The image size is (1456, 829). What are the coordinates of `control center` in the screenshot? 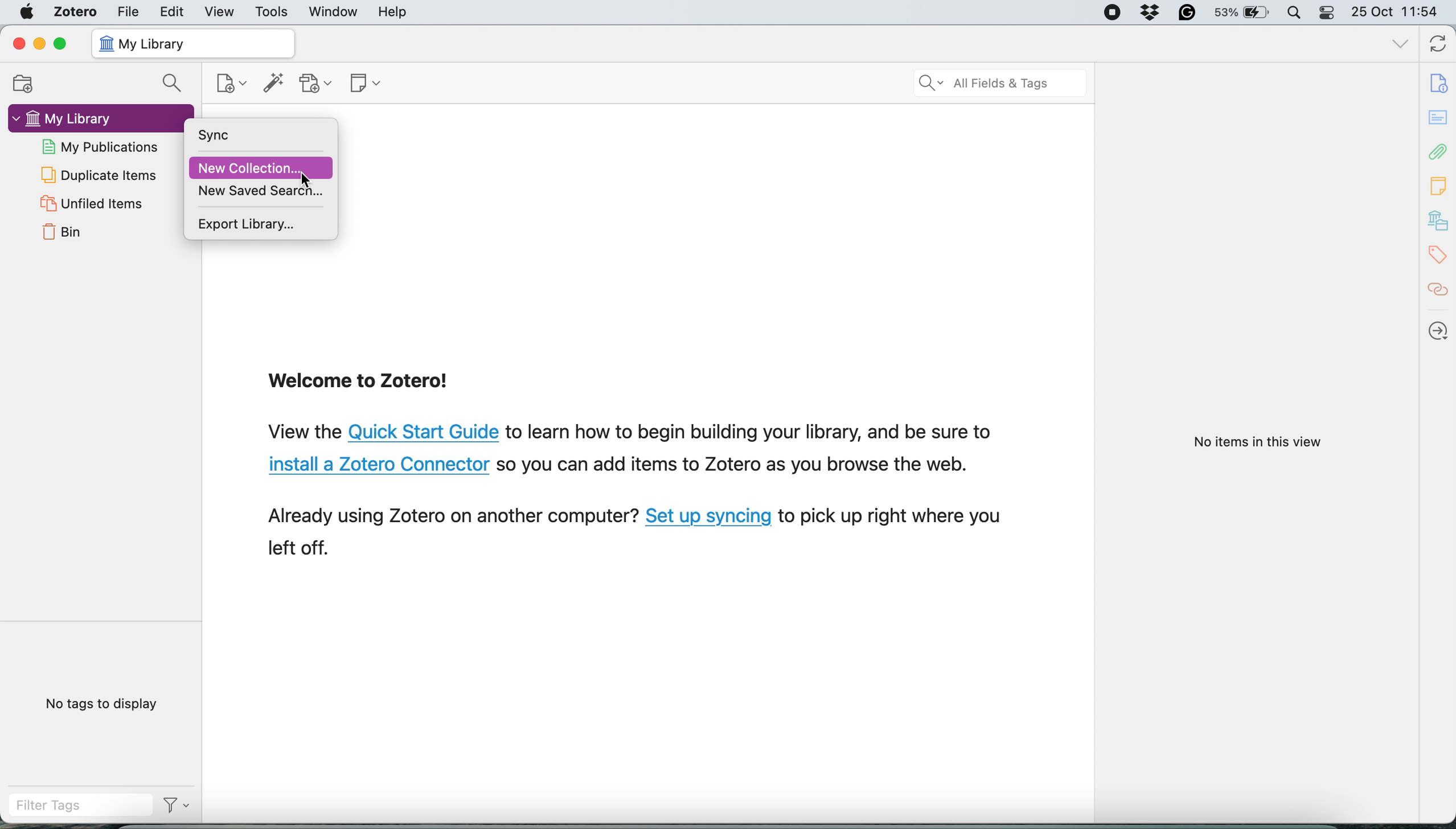 It's located at (1328, 13).